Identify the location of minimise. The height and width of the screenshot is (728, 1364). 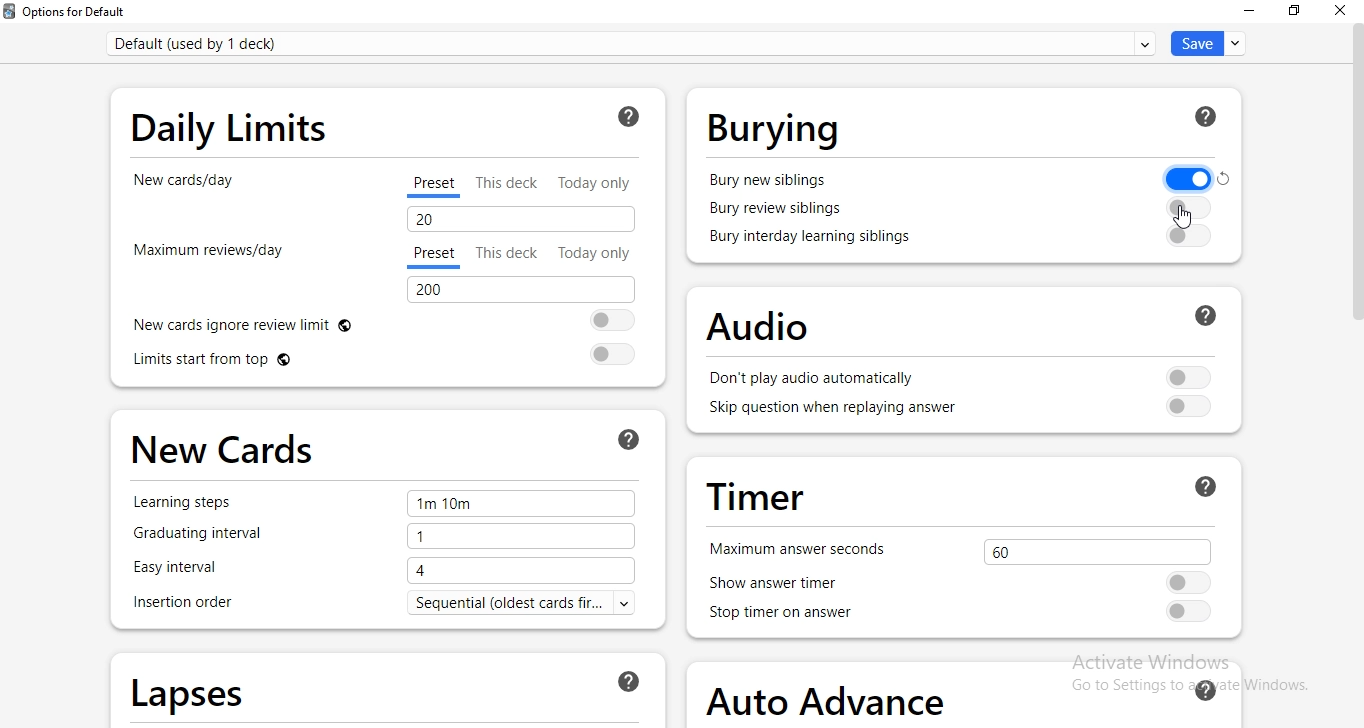
(1247, 12).